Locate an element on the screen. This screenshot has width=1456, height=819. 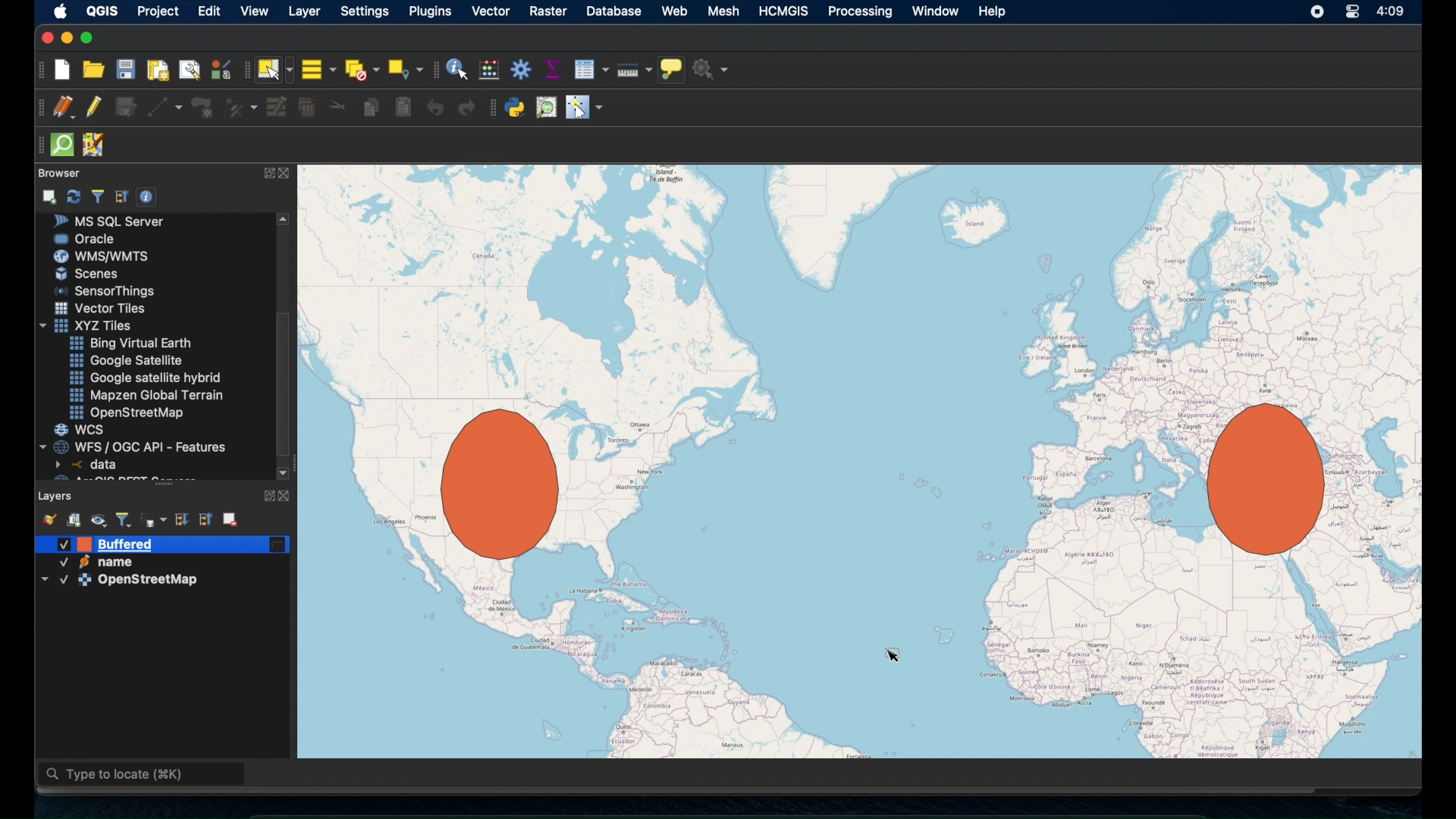
style manager is located at coordinates (48, 518).